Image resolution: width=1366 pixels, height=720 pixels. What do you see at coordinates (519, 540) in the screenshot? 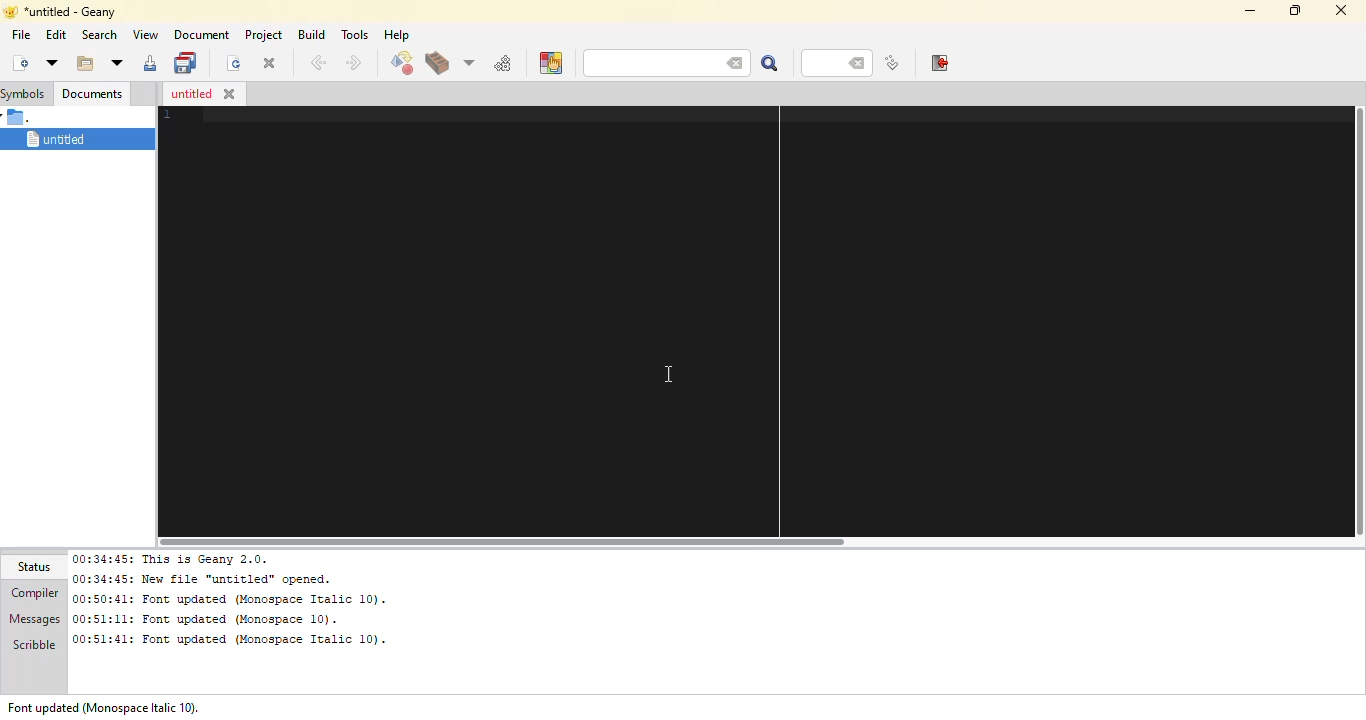
I see `horizontal scroll bar` at bounding box center [519, 540].